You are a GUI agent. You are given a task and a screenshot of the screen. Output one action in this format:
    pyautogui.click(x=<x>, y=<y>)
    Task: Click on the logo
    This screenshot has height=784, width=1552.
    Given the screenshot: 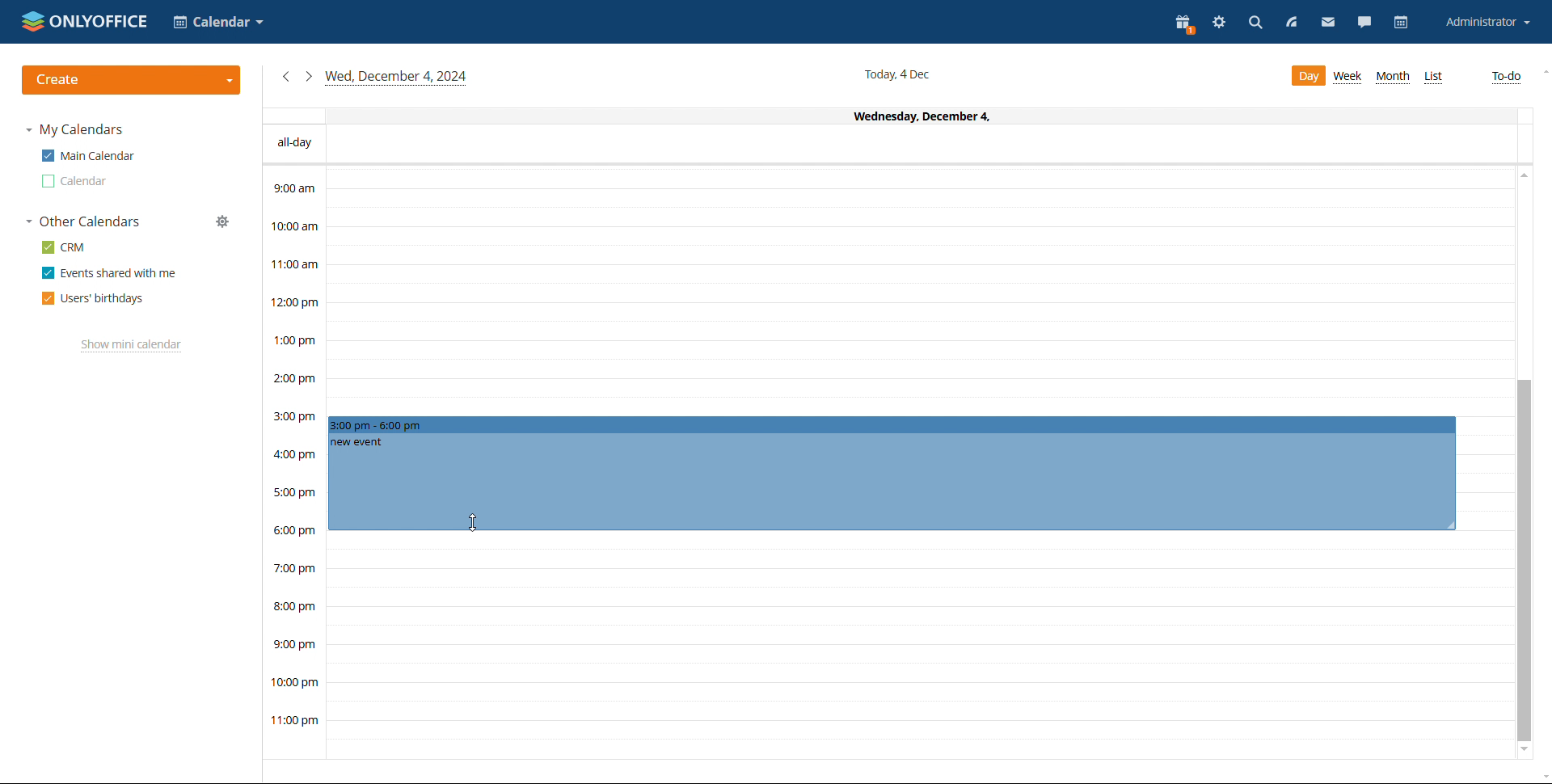 What is the action you would take?
    pyautogui.click(x=84, y=21)
    